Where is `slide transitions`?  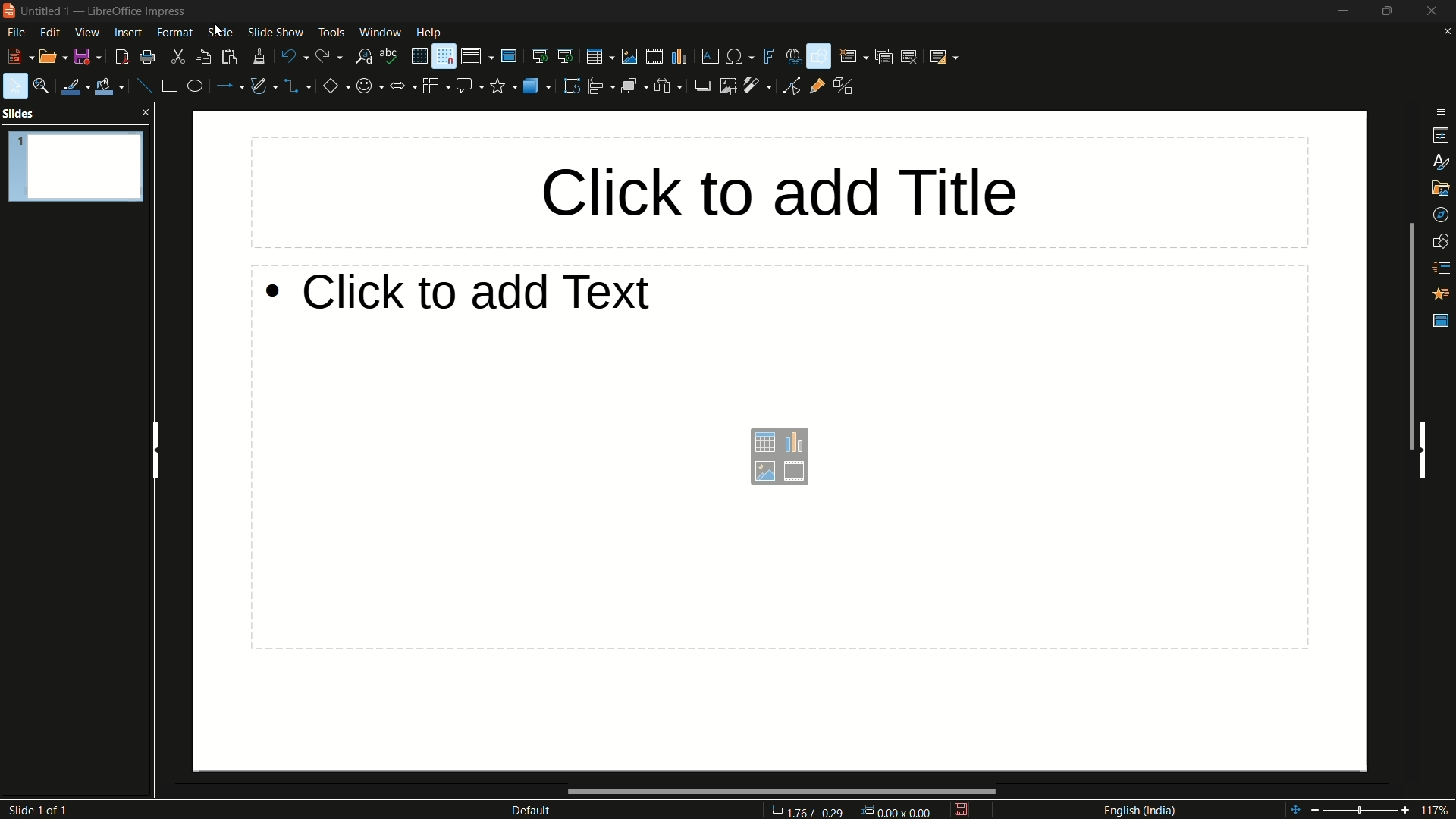
slide transitions is located at coordinates (1439, 265).